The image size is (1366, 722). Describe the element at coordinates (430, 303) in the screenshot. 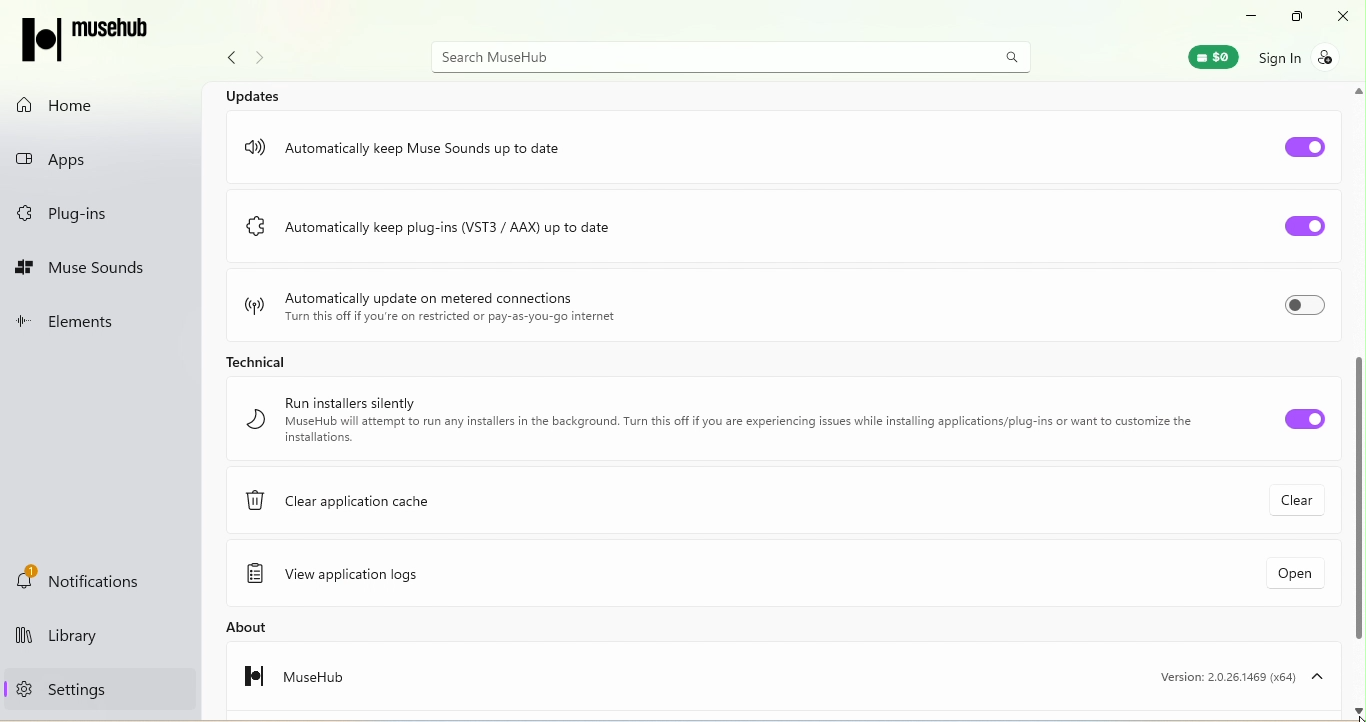

I see `Automatically update on metered connections Turn this off if you're on restricted or pay-as-you-go internet.` at that location.